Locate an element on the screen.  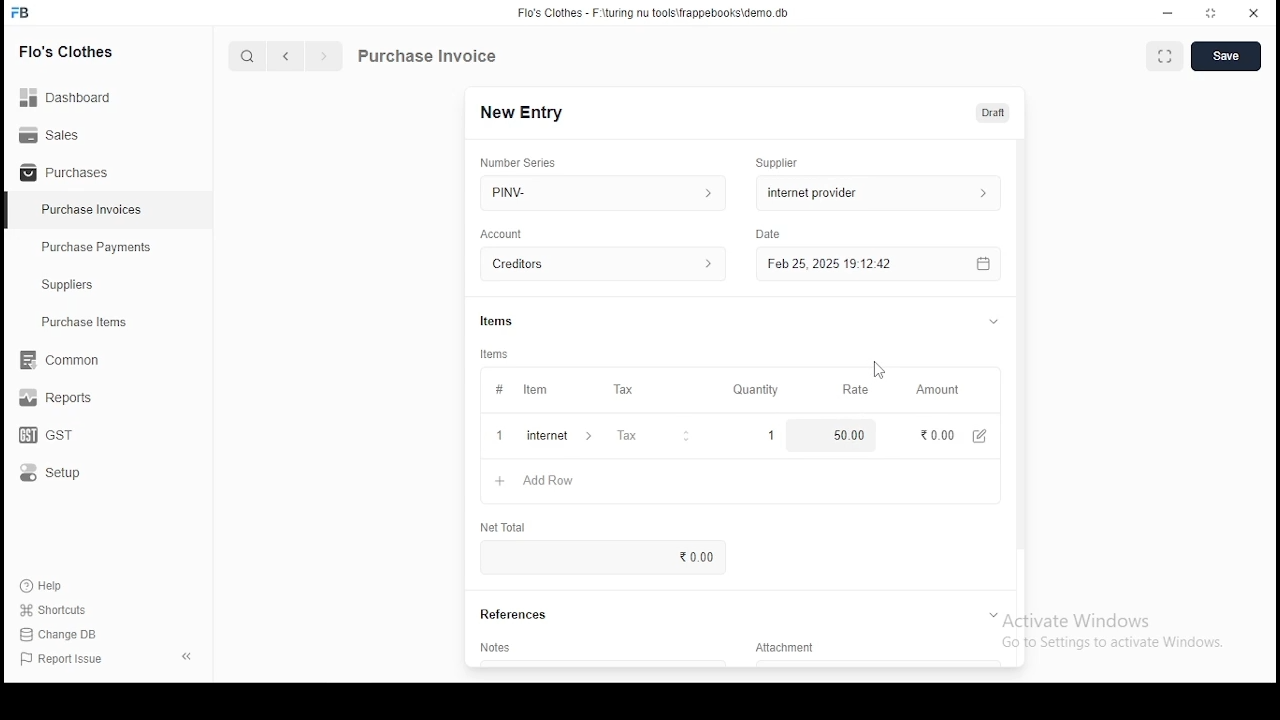
Date is located at coordinates (770, 235).